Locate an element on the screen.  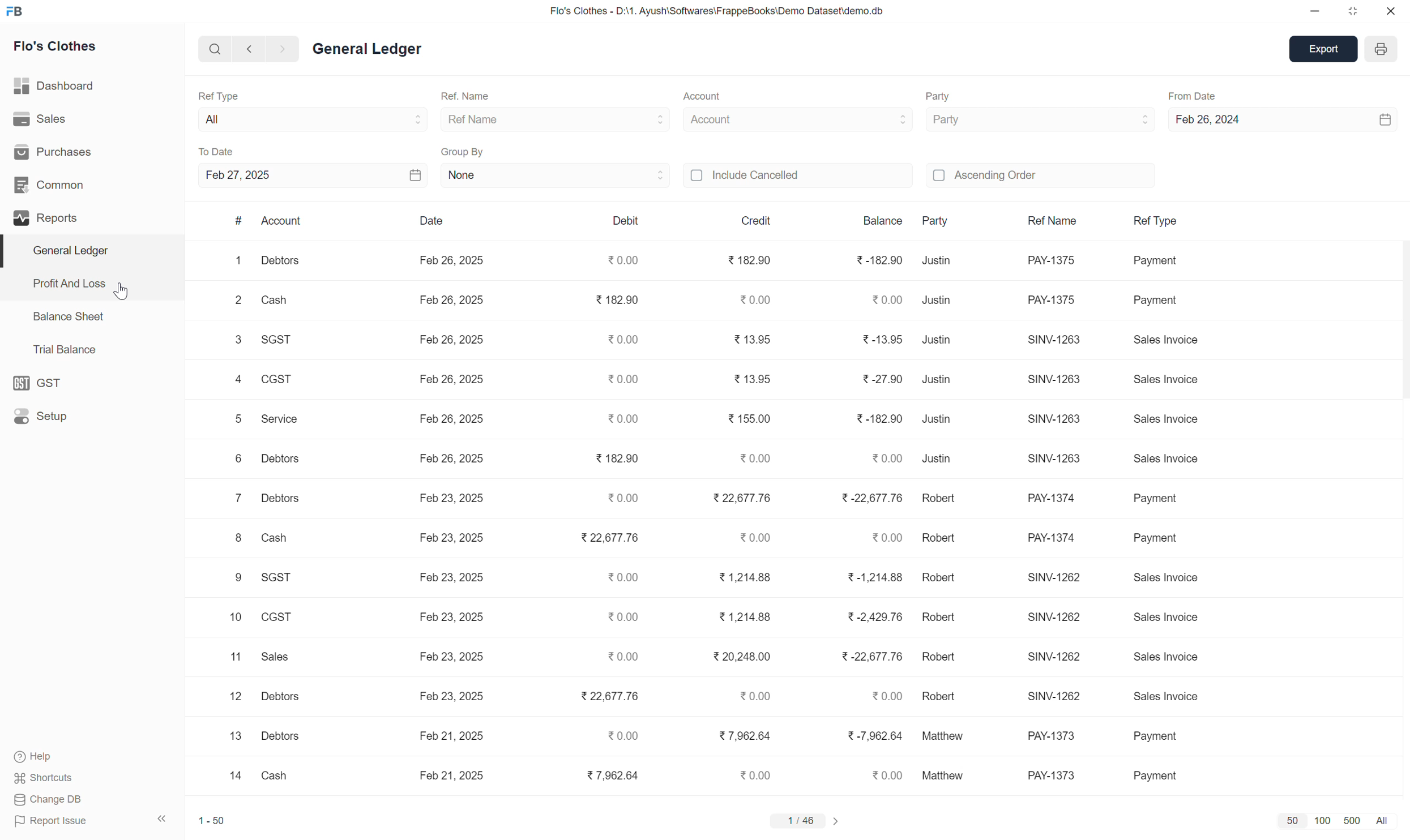
₹1,214.88 is located at coordinates (746, 578).